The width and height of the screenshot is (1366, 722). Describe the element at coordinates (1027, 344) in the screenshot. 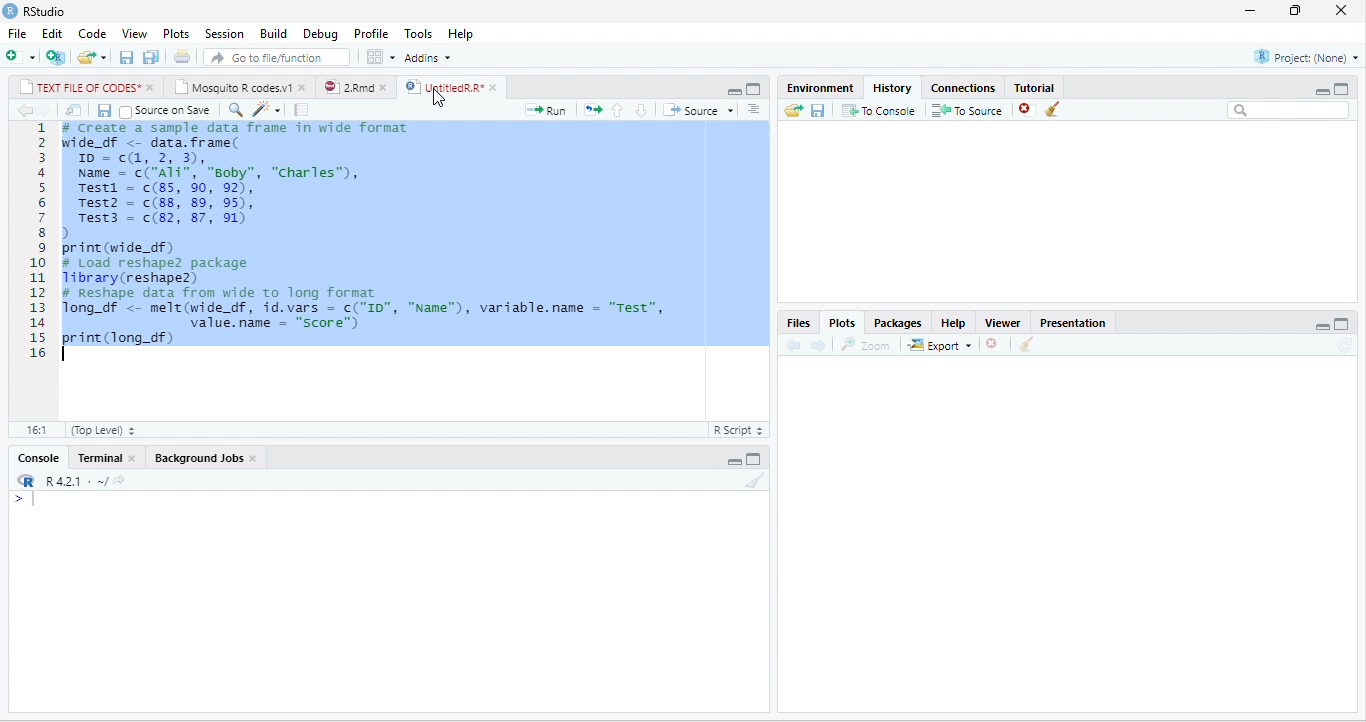

I see `clear` at that location.